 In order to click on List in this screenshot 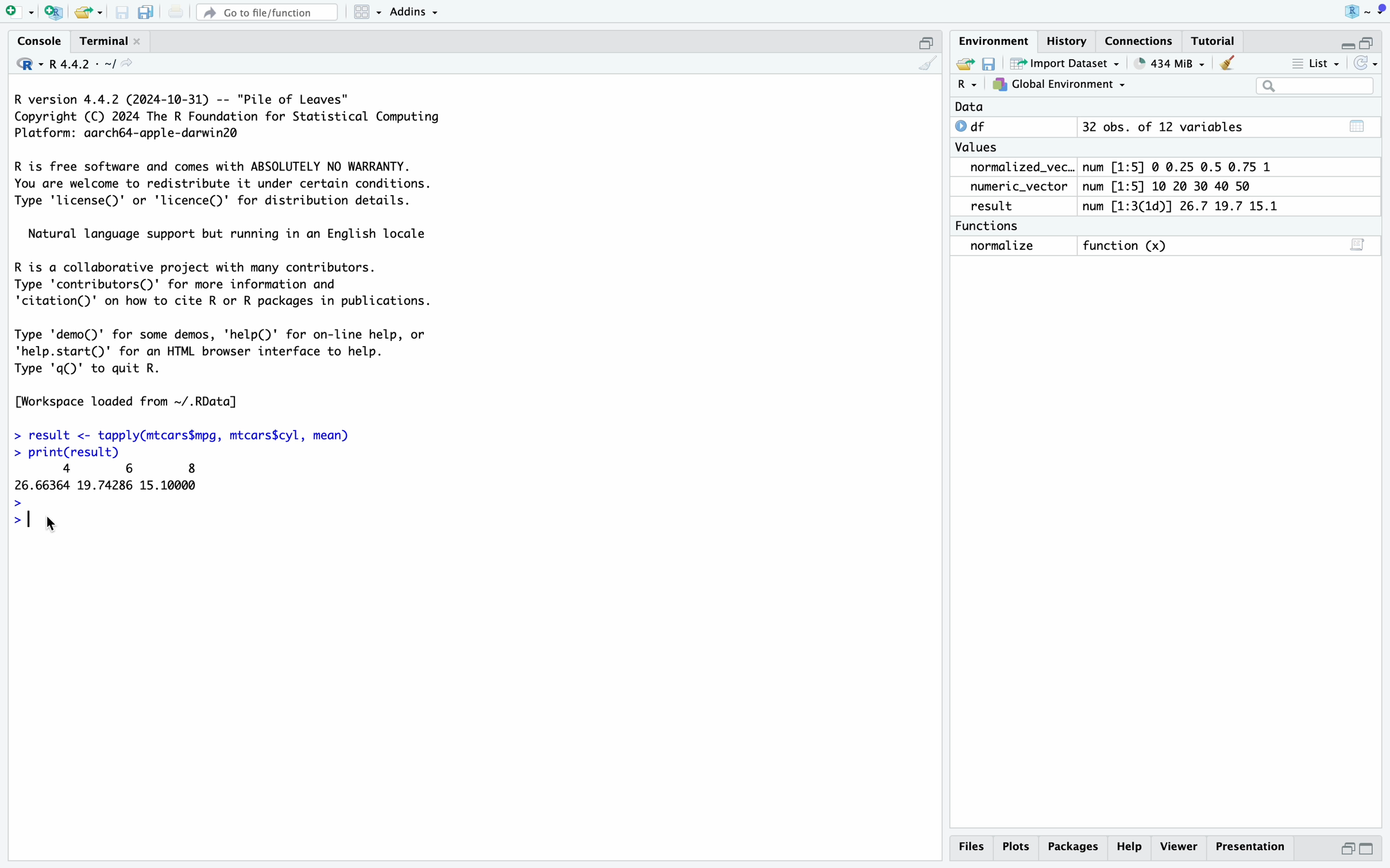, I will do `click(1317, 63)`.